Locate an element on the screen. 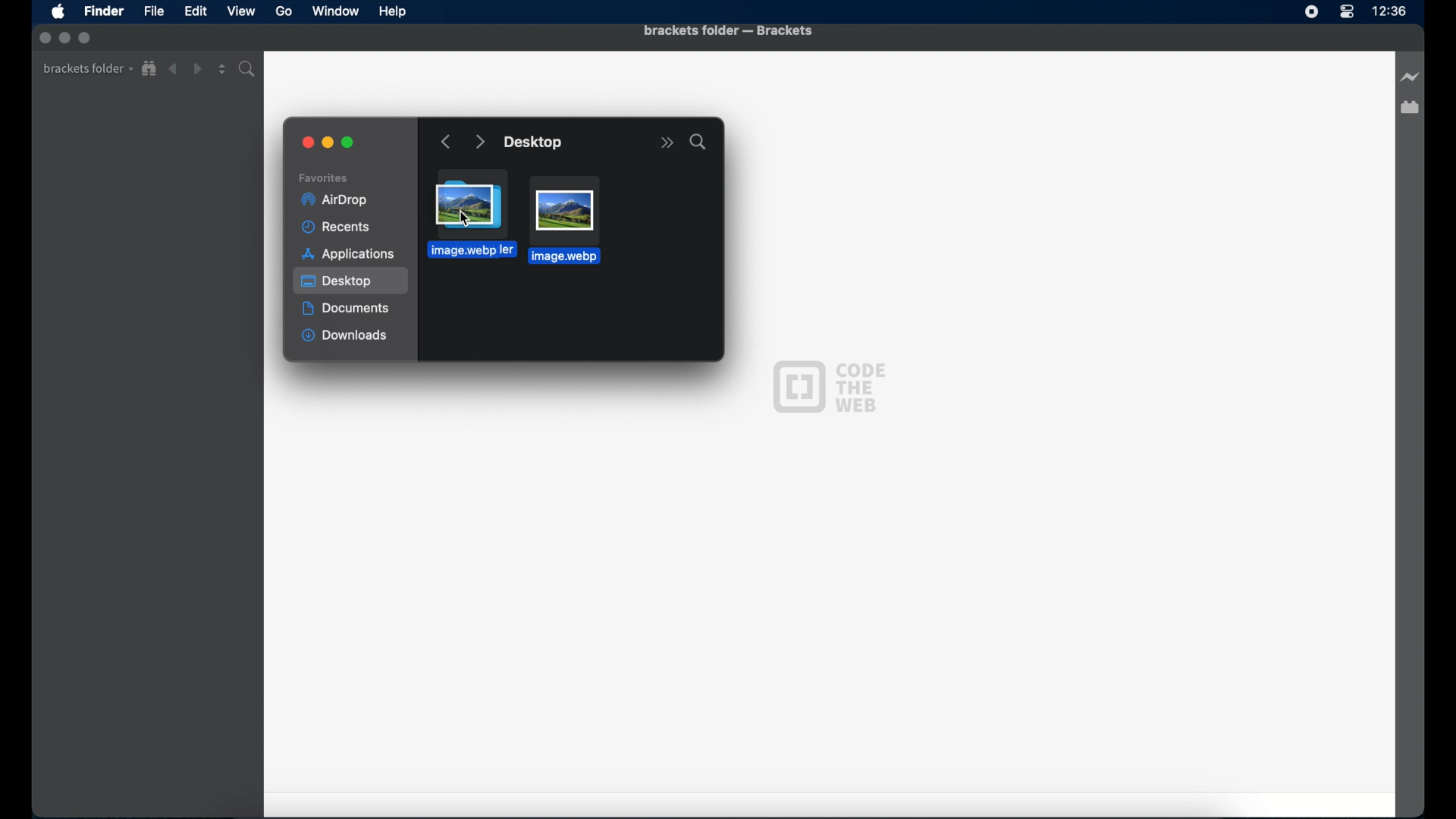  image file highlighted is located at coordinates (564, 220).